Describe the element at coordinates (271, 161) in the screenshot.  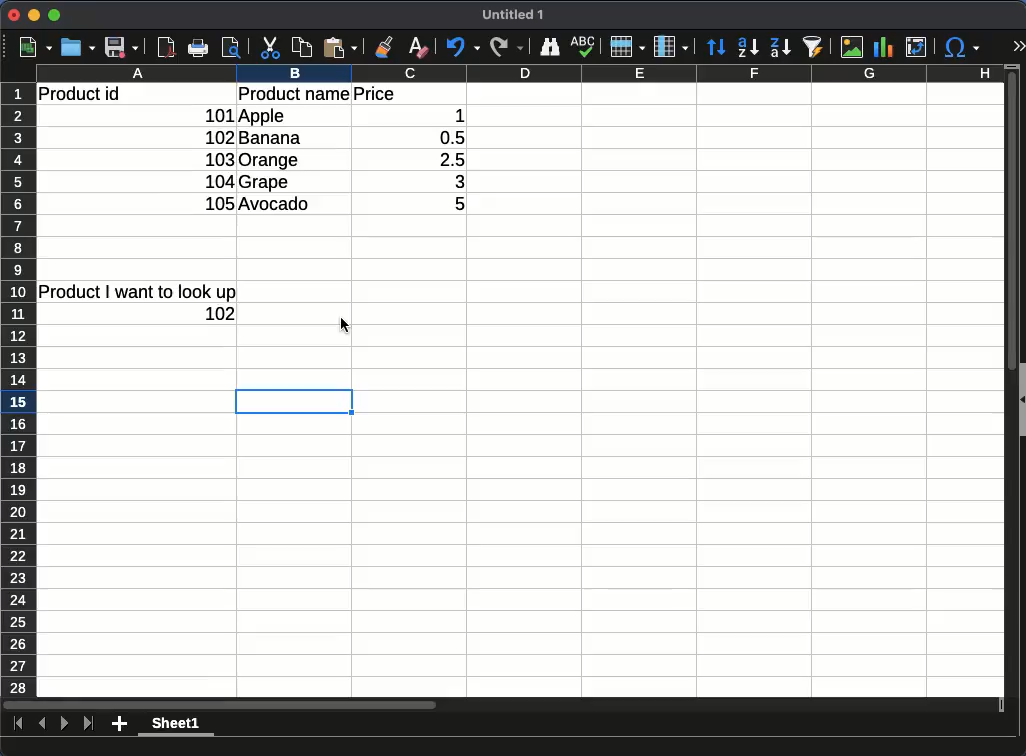
I see `orange` at that location.